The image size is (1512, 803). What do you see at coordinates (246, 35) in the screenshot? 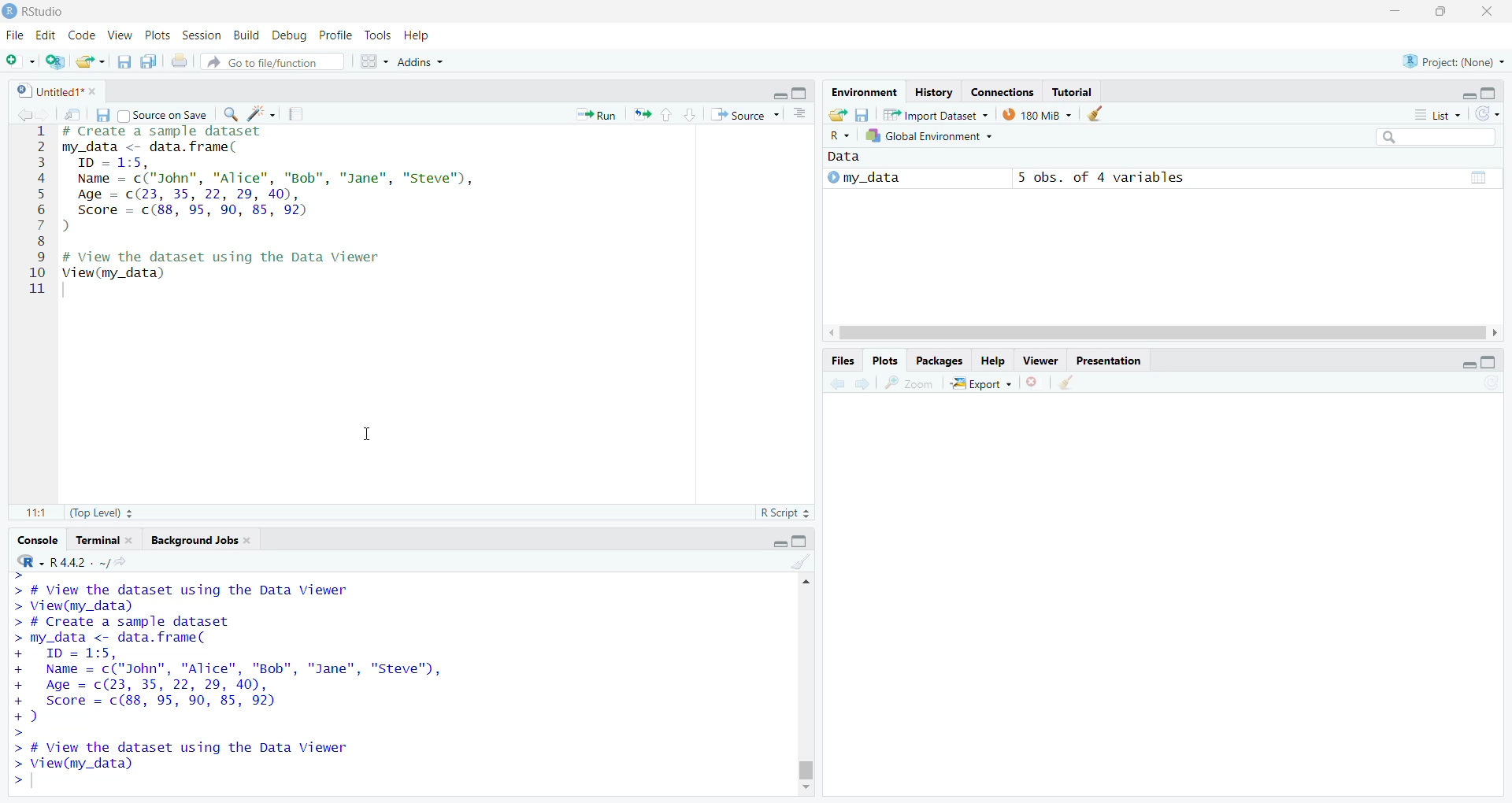
I see `Build` at bounding box center [246, 35].